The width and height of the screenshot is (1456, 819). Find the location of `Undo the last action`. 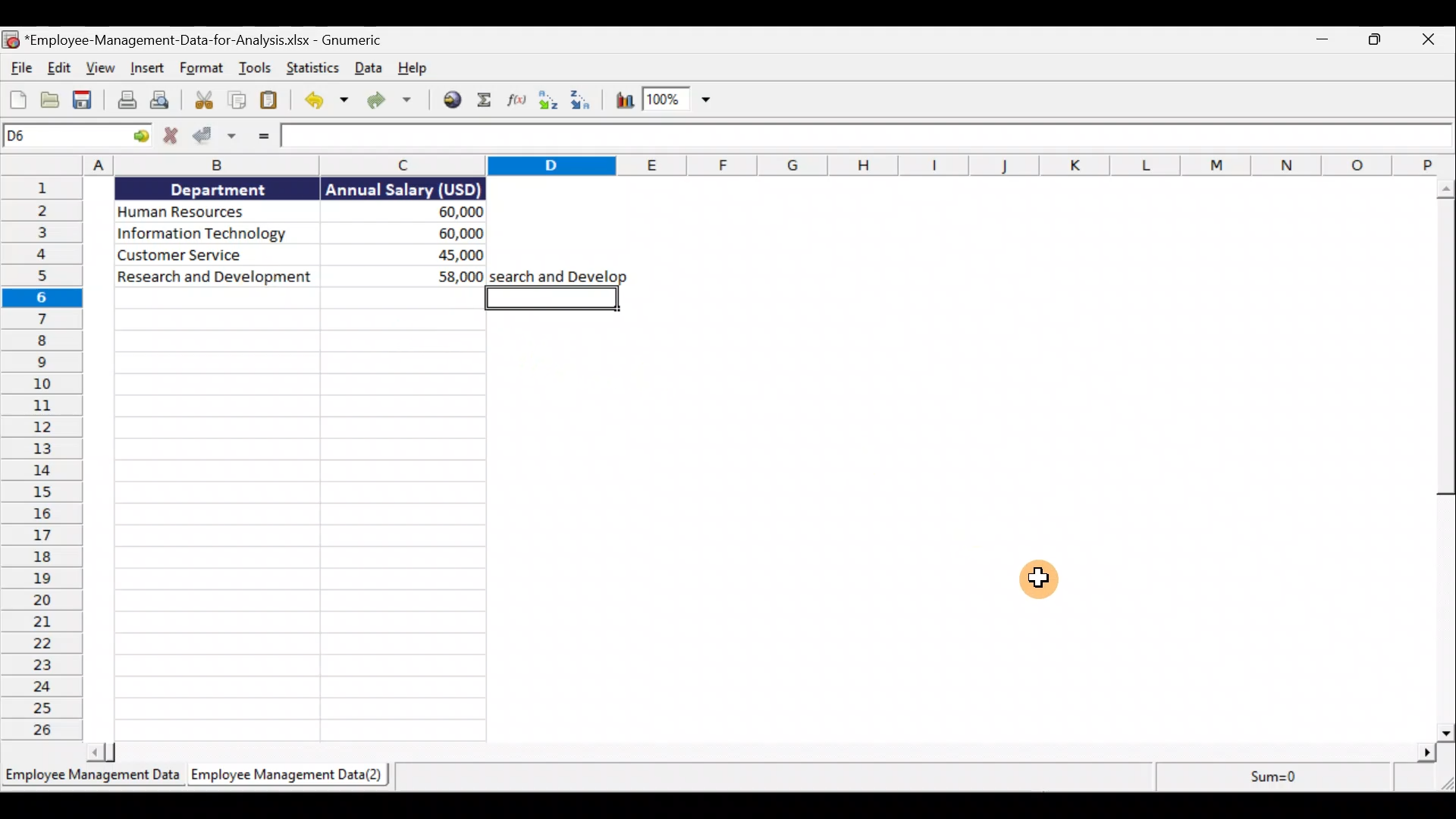

Undo the last action is located at coordinates (324, 100).